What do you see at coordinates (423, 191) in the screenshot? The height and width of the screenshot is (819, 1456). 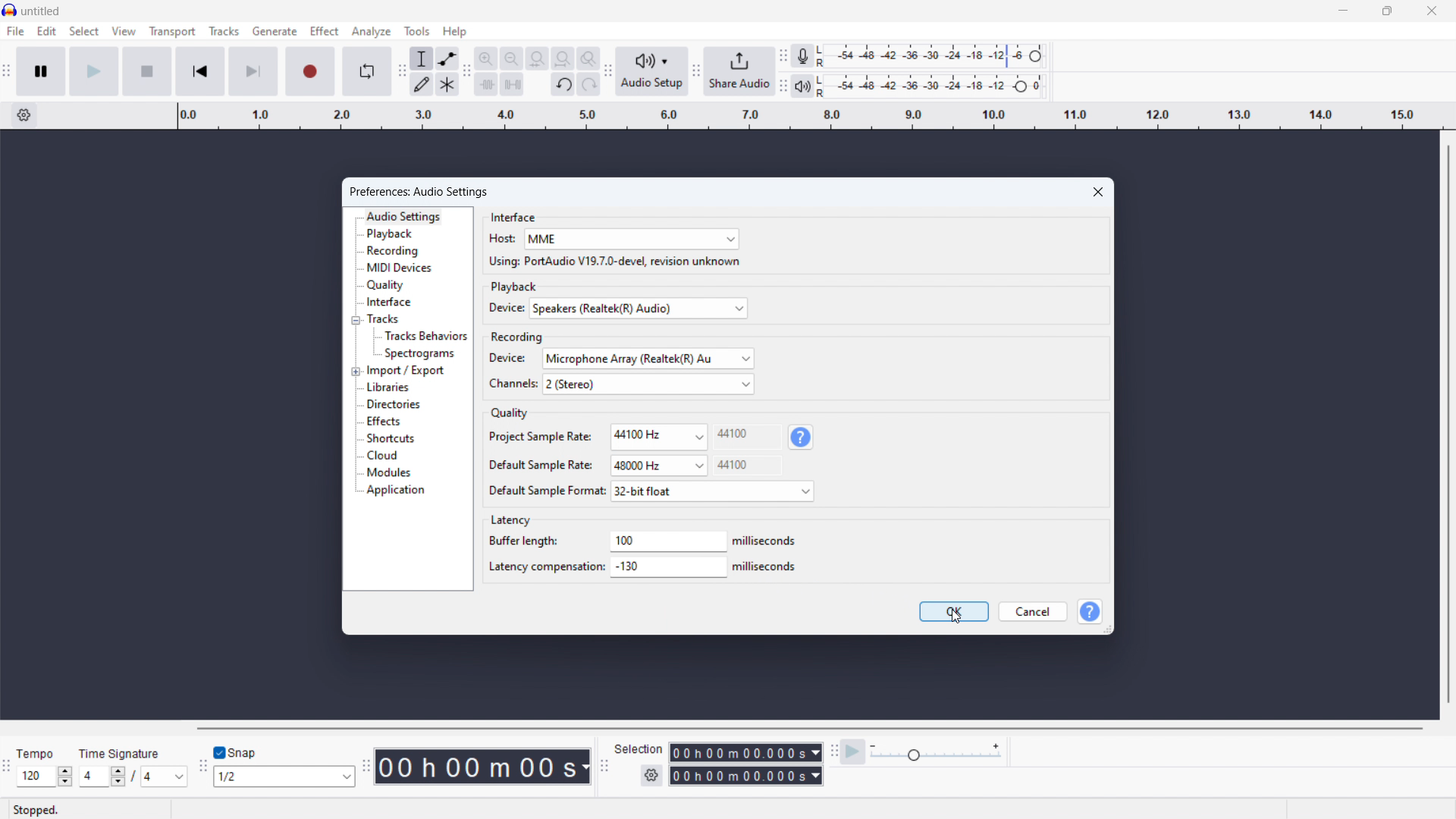 I see `preferences: audio settings` at bounding box center [423, 191].